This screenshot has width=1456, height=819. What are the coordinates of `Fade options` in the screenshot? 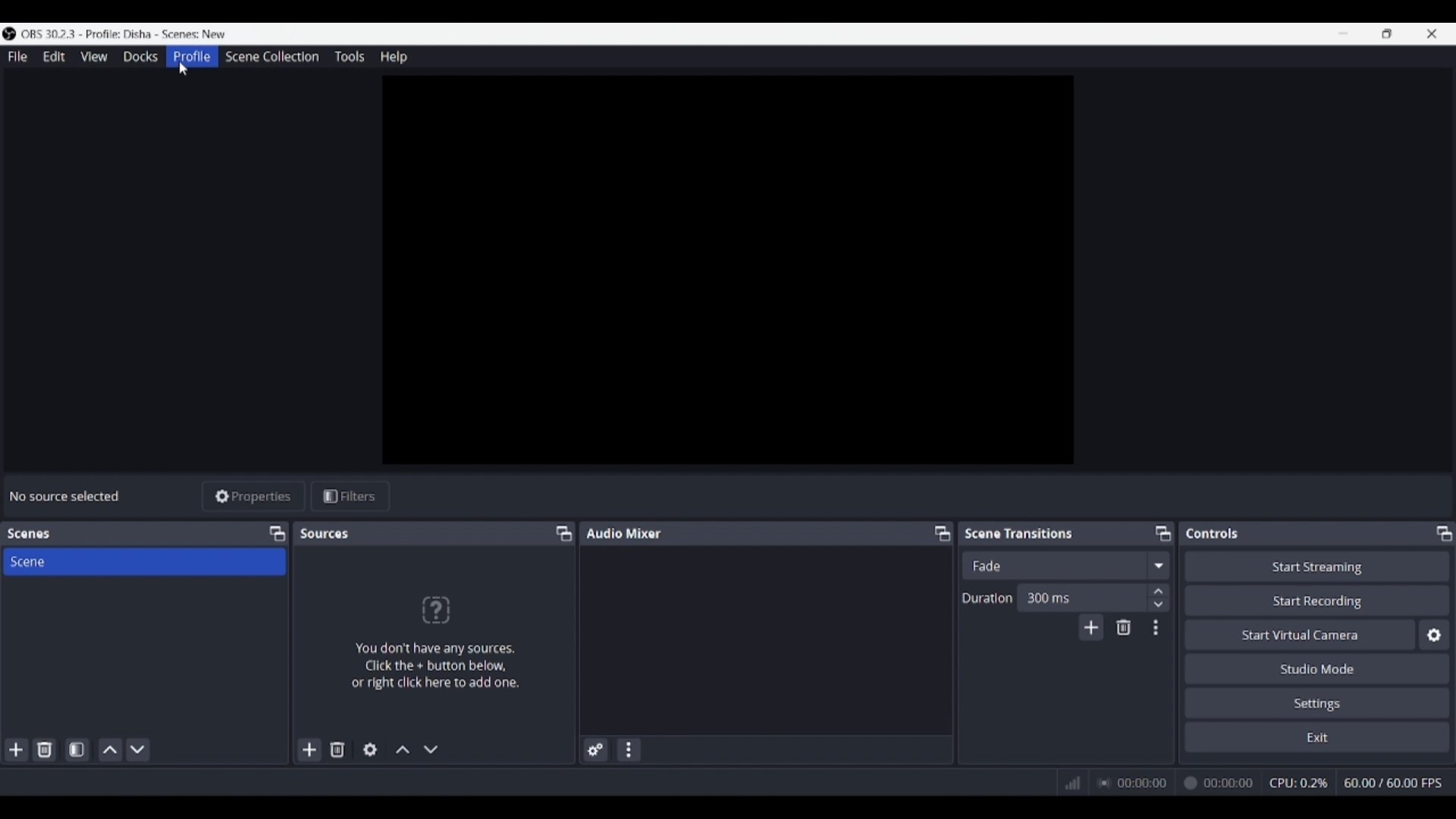 It's located at (1158, 565).